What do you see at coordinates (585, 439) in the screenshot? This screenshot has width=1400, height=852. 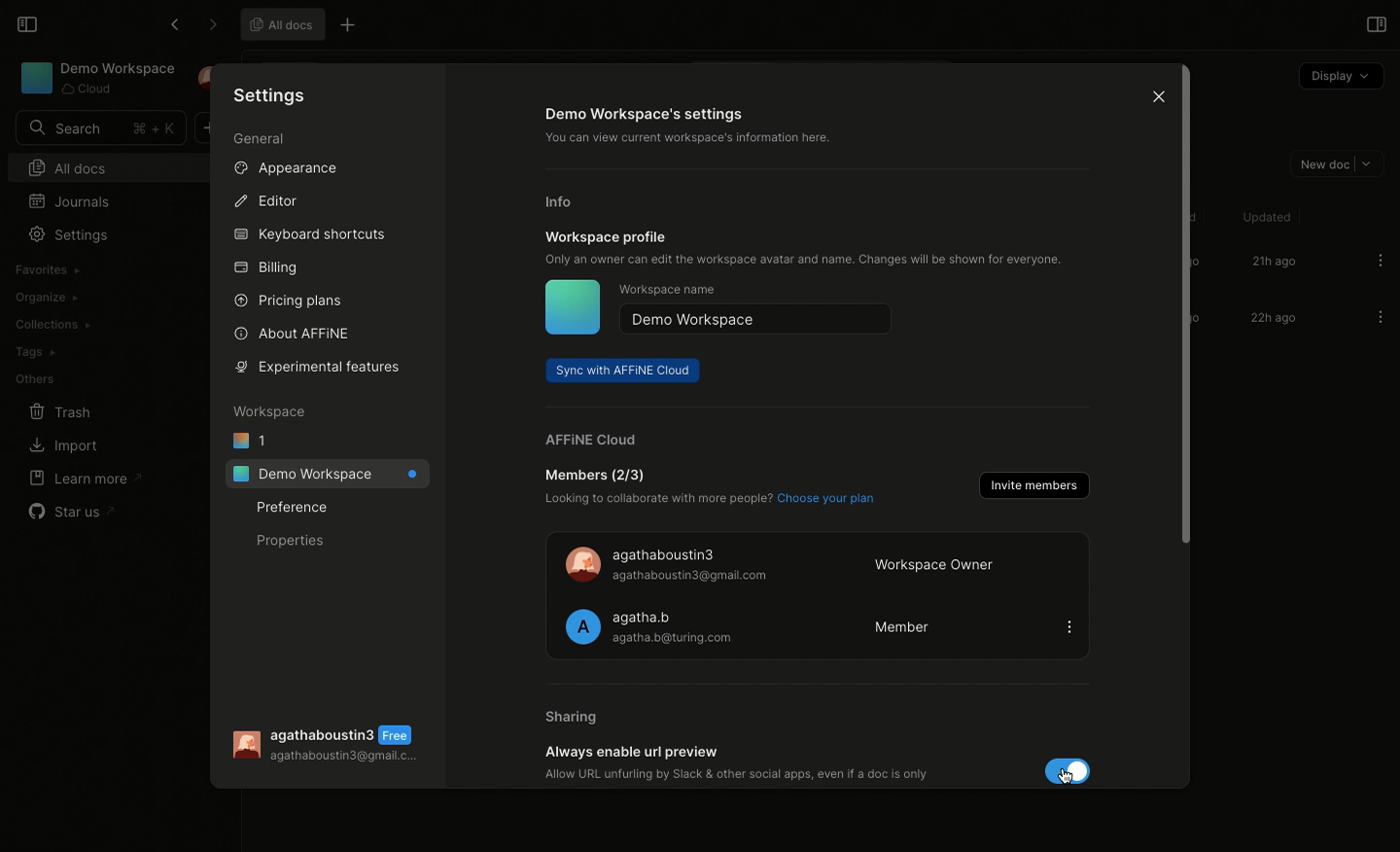 I see `AFFINE cloud` at bounding box center [585, 439].